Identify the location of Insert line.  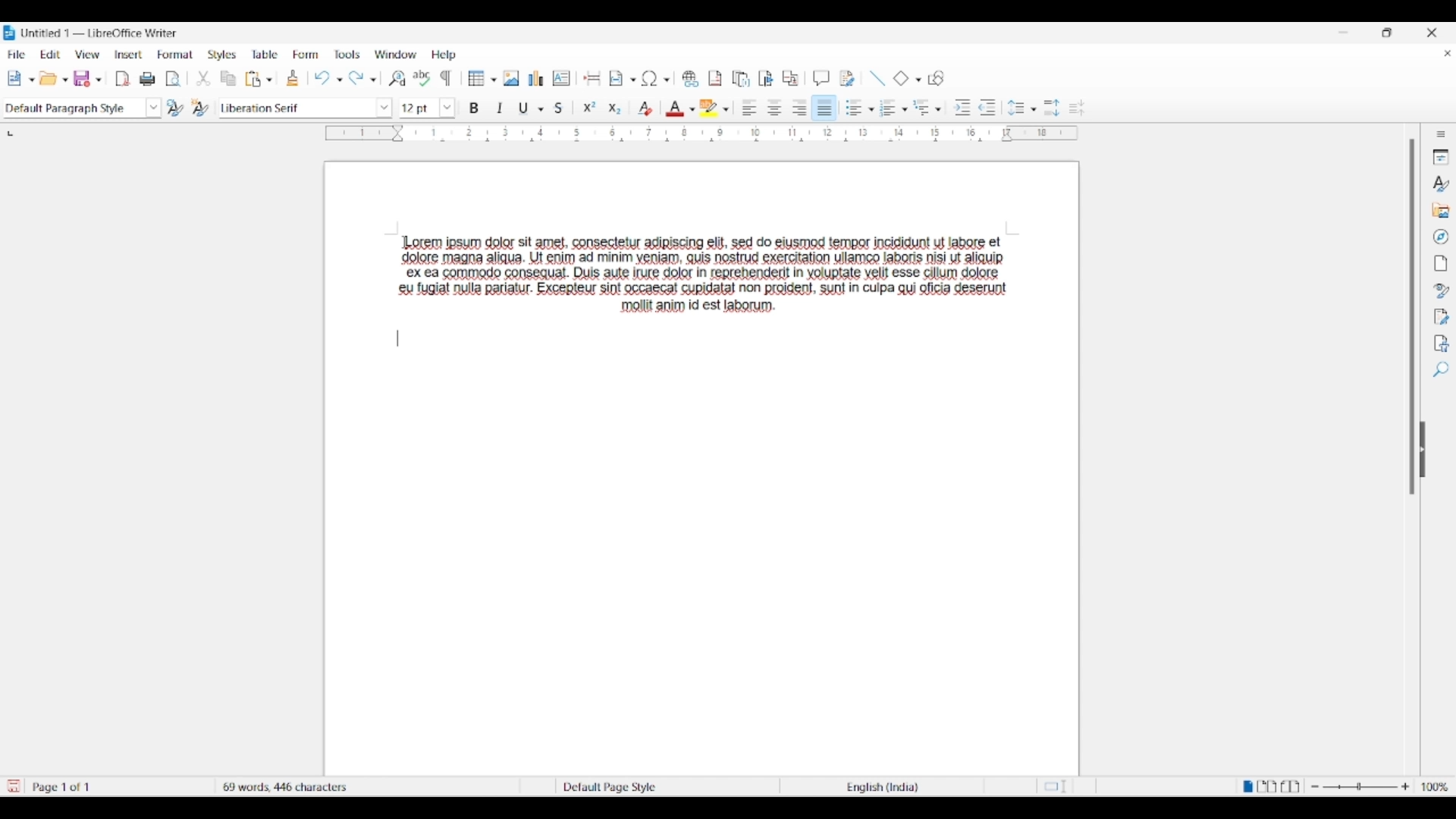
(877, 79).